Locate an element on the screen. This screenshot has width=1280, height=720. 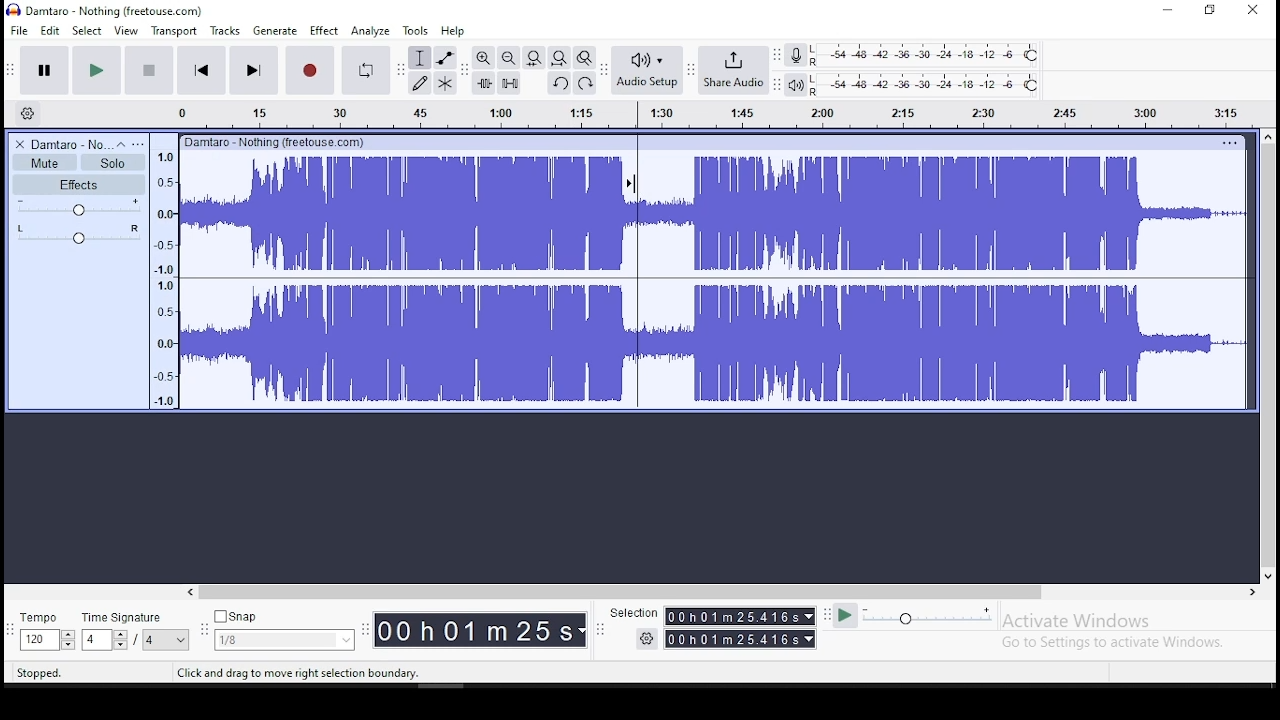
scroll down is located at coordinates (1267, 574).